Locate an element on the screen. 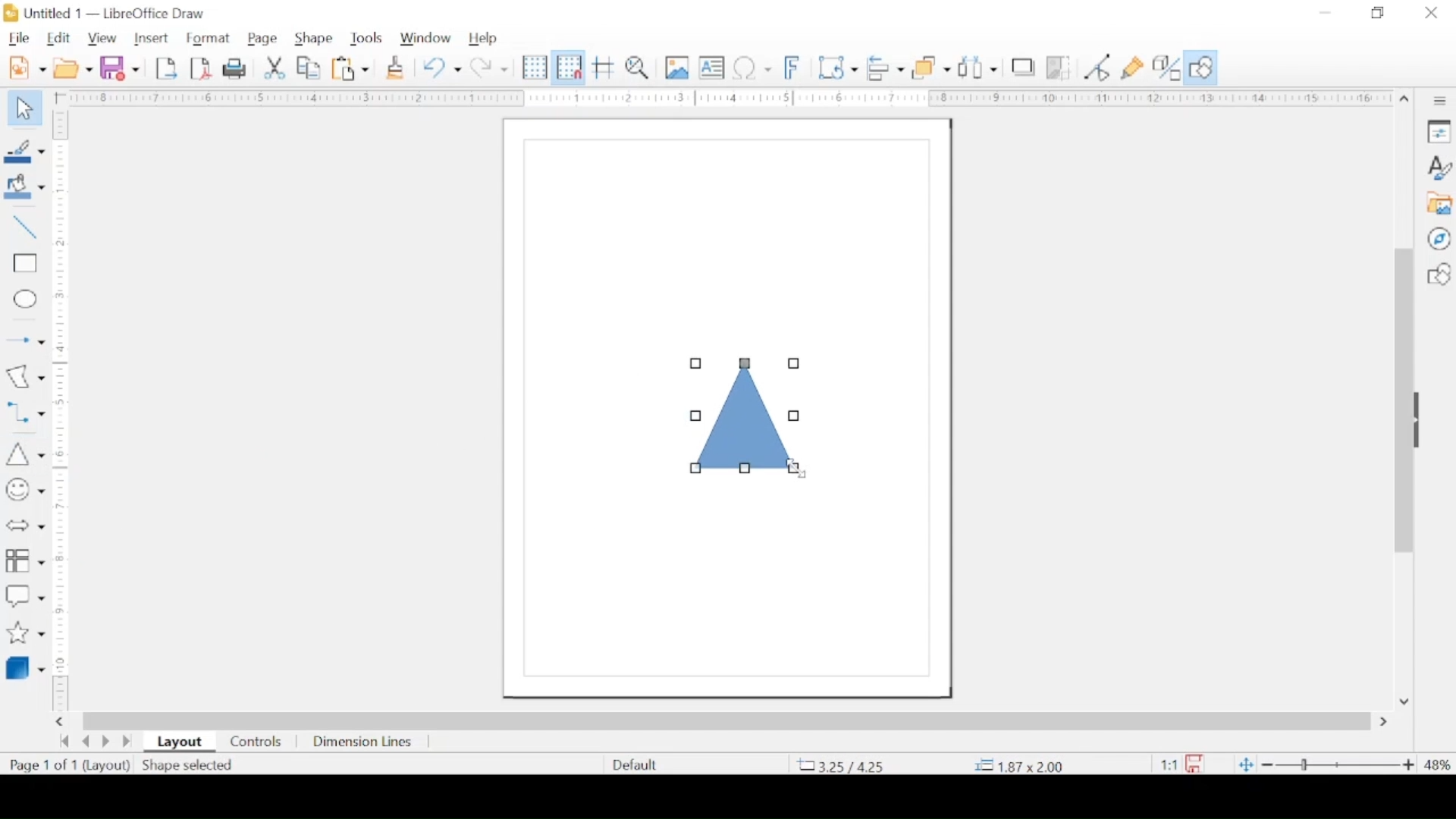  display grid is located at coordinates (535, 67).